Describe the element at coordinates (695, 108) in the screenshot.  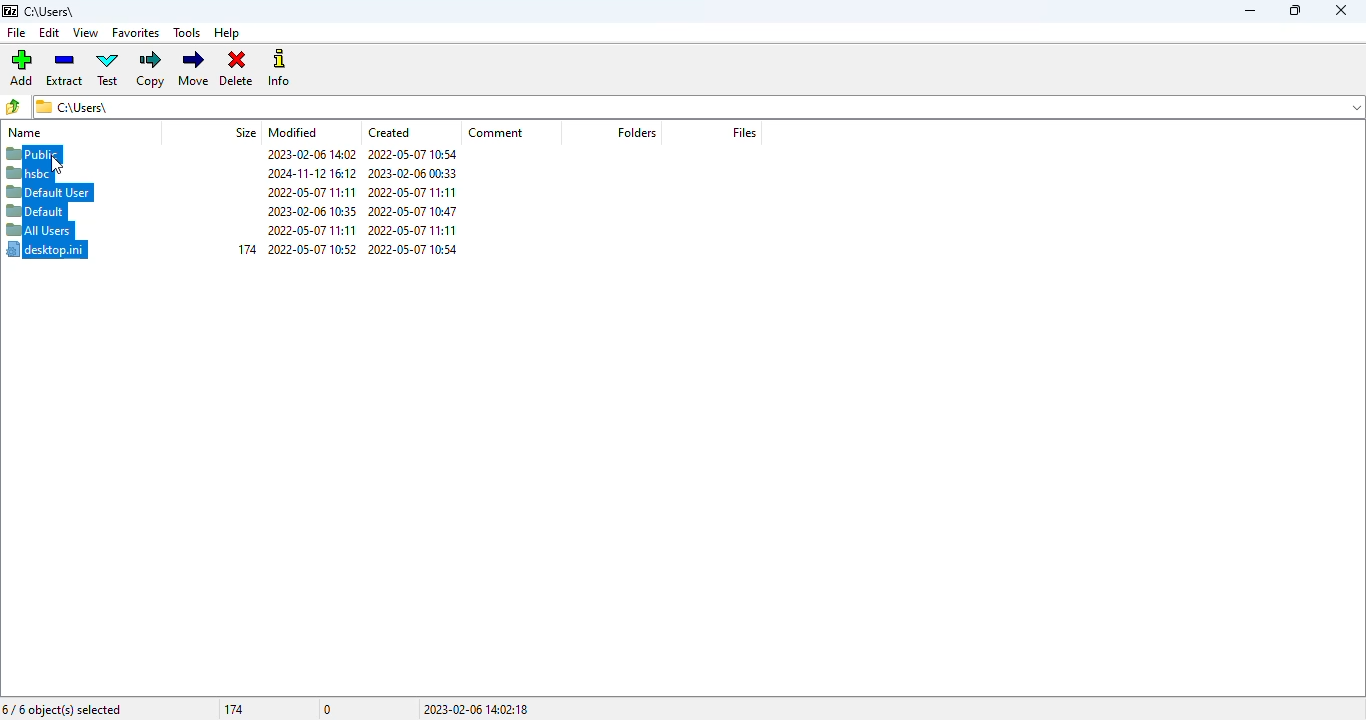
I see `c\Users\` at that location.